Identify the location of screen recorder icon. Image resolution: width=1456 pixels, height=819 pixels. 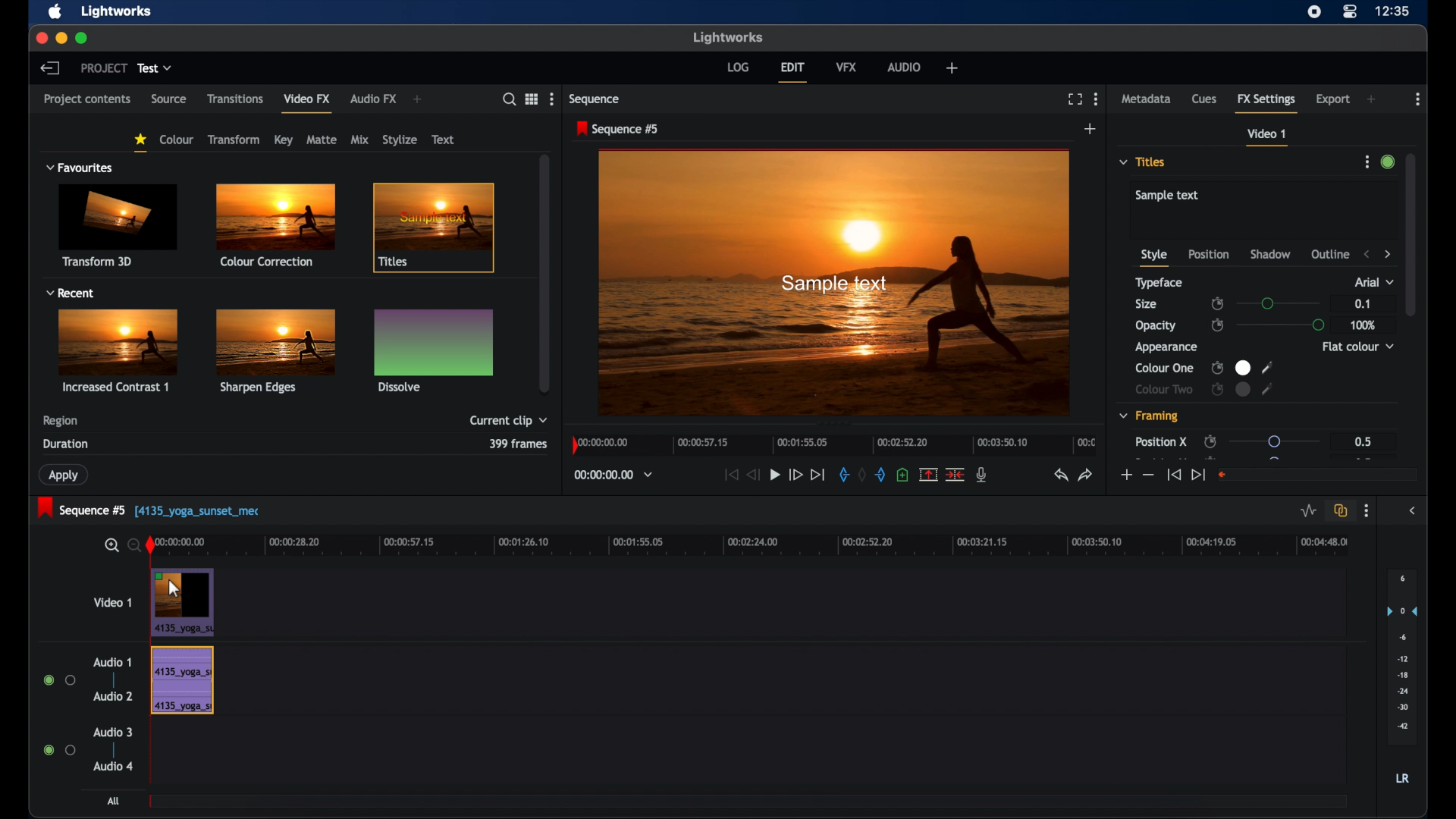
(1314, 12).